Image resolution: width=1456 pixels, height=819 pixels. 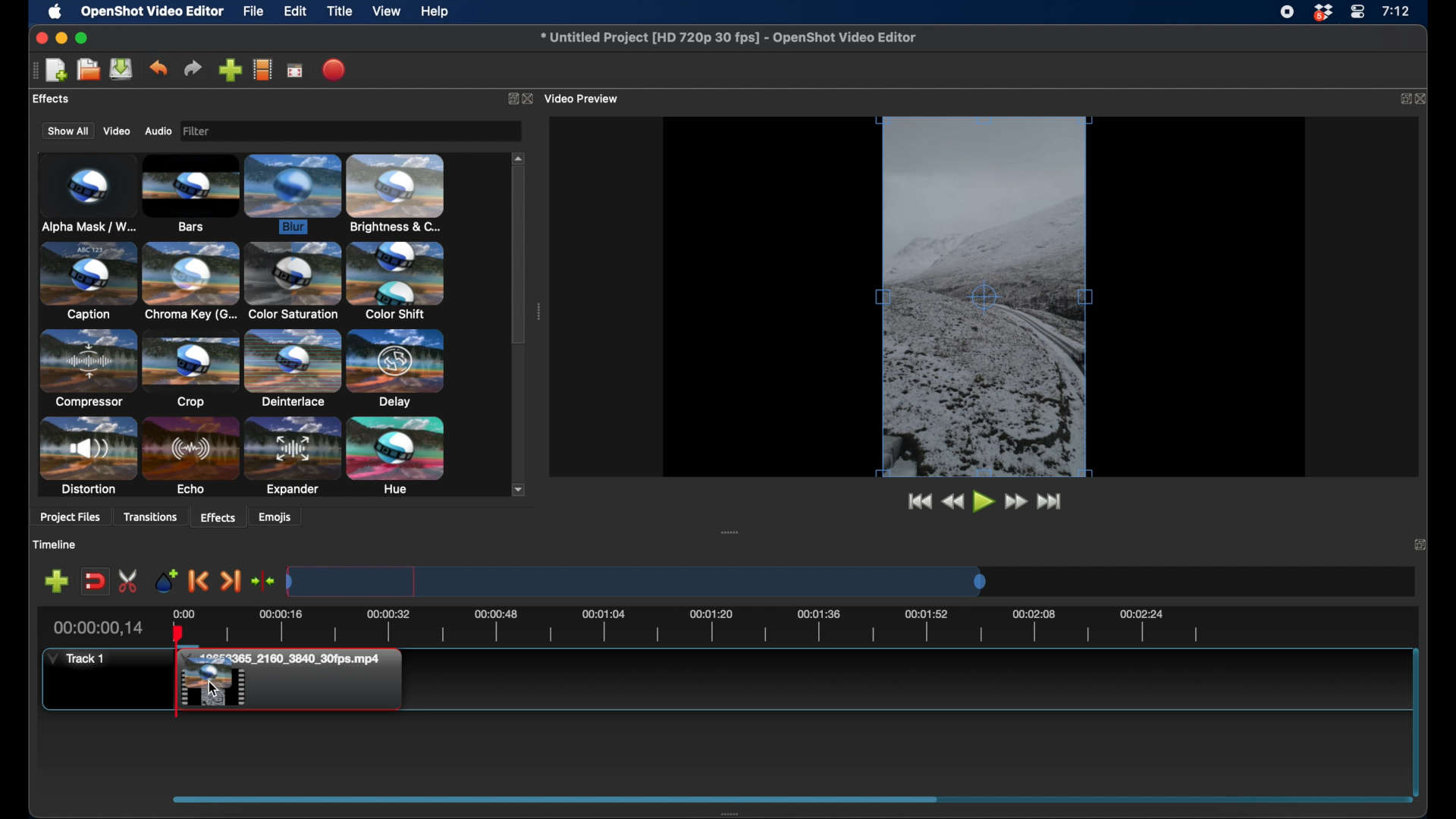 I want to click on color shift, so click(x=395, y=280).